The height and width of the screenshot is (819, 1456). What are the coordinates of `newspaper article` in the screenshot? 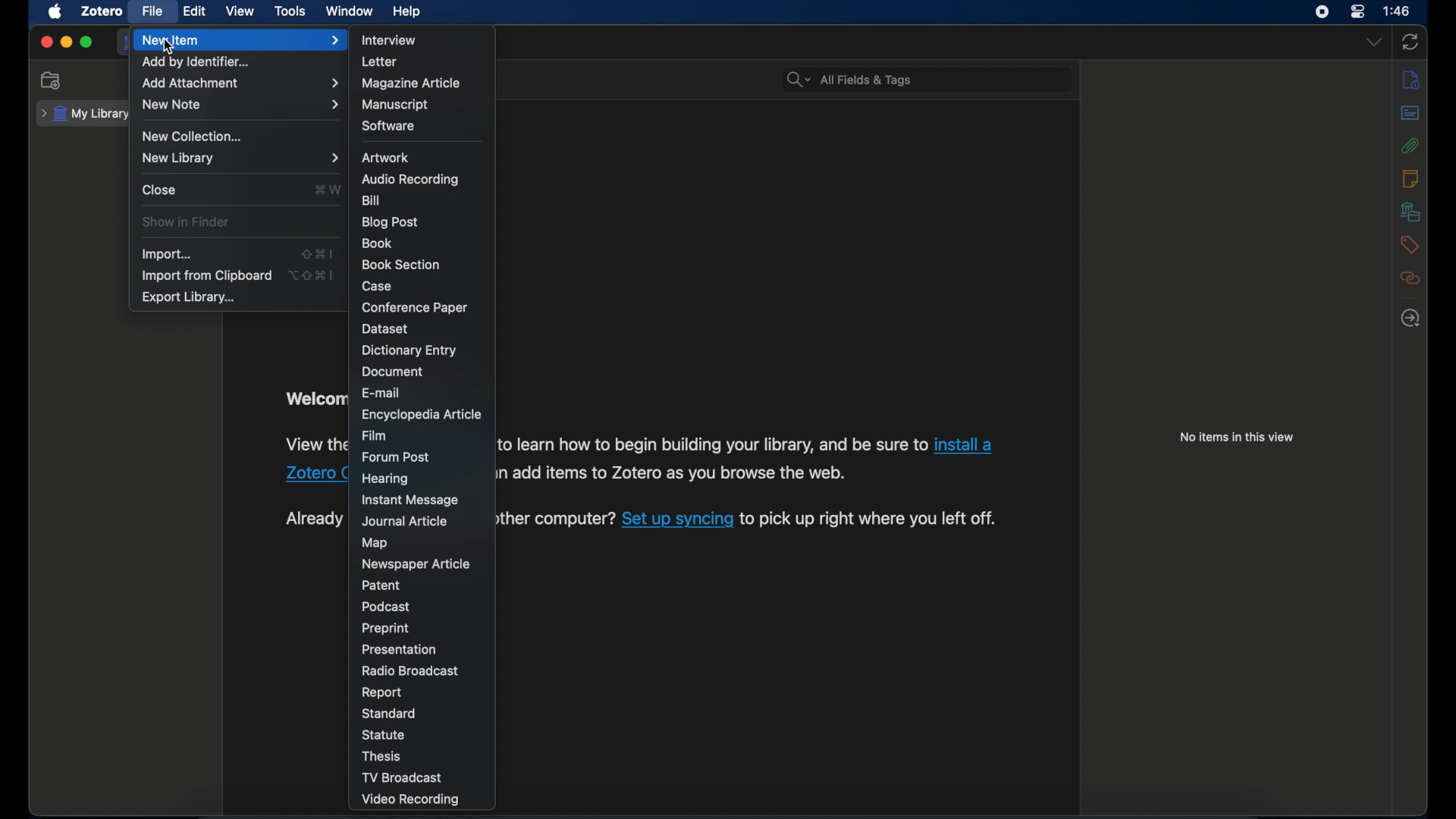 It's located at (416, 564).